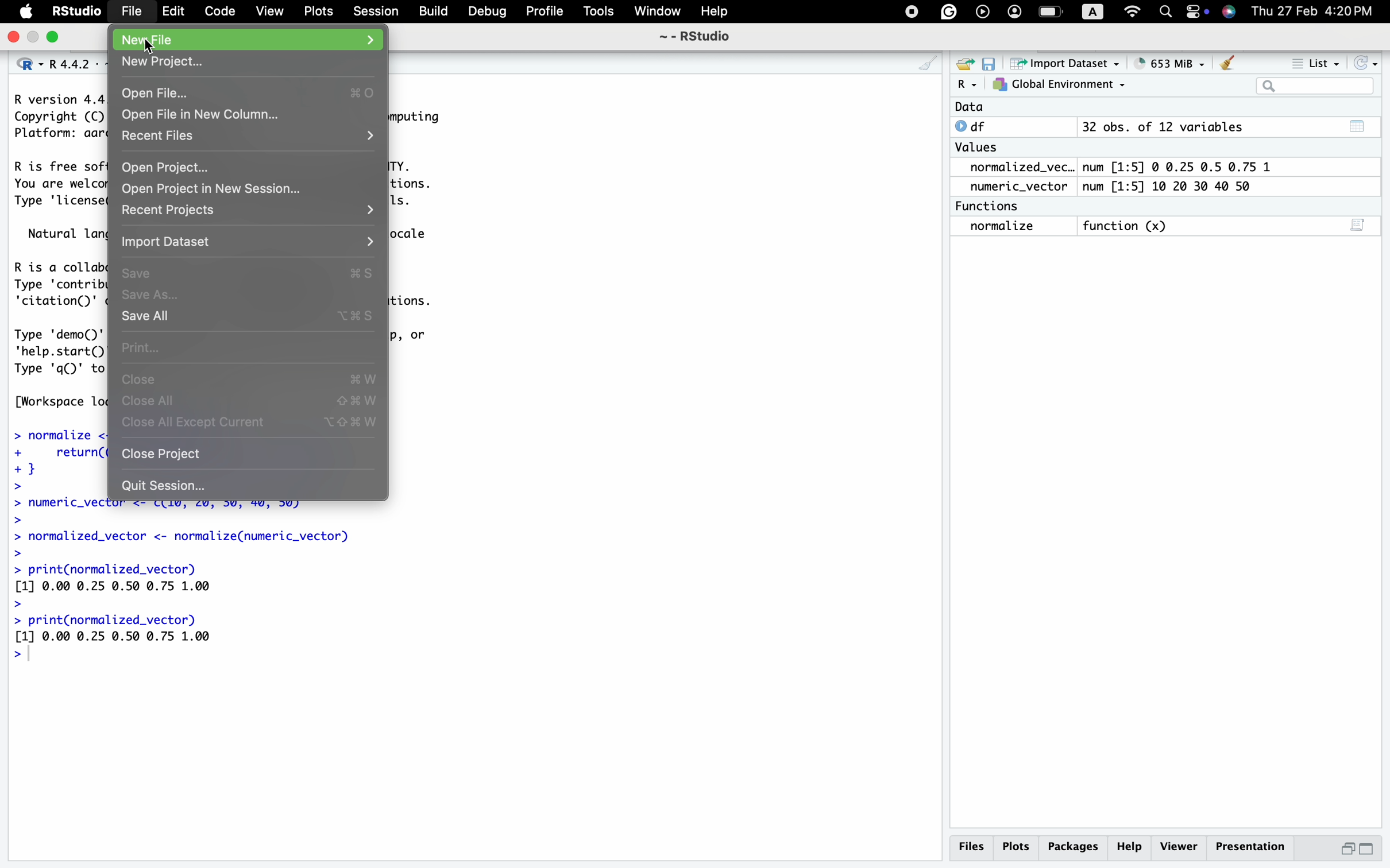  I want to click on Code, so click(218, 11).